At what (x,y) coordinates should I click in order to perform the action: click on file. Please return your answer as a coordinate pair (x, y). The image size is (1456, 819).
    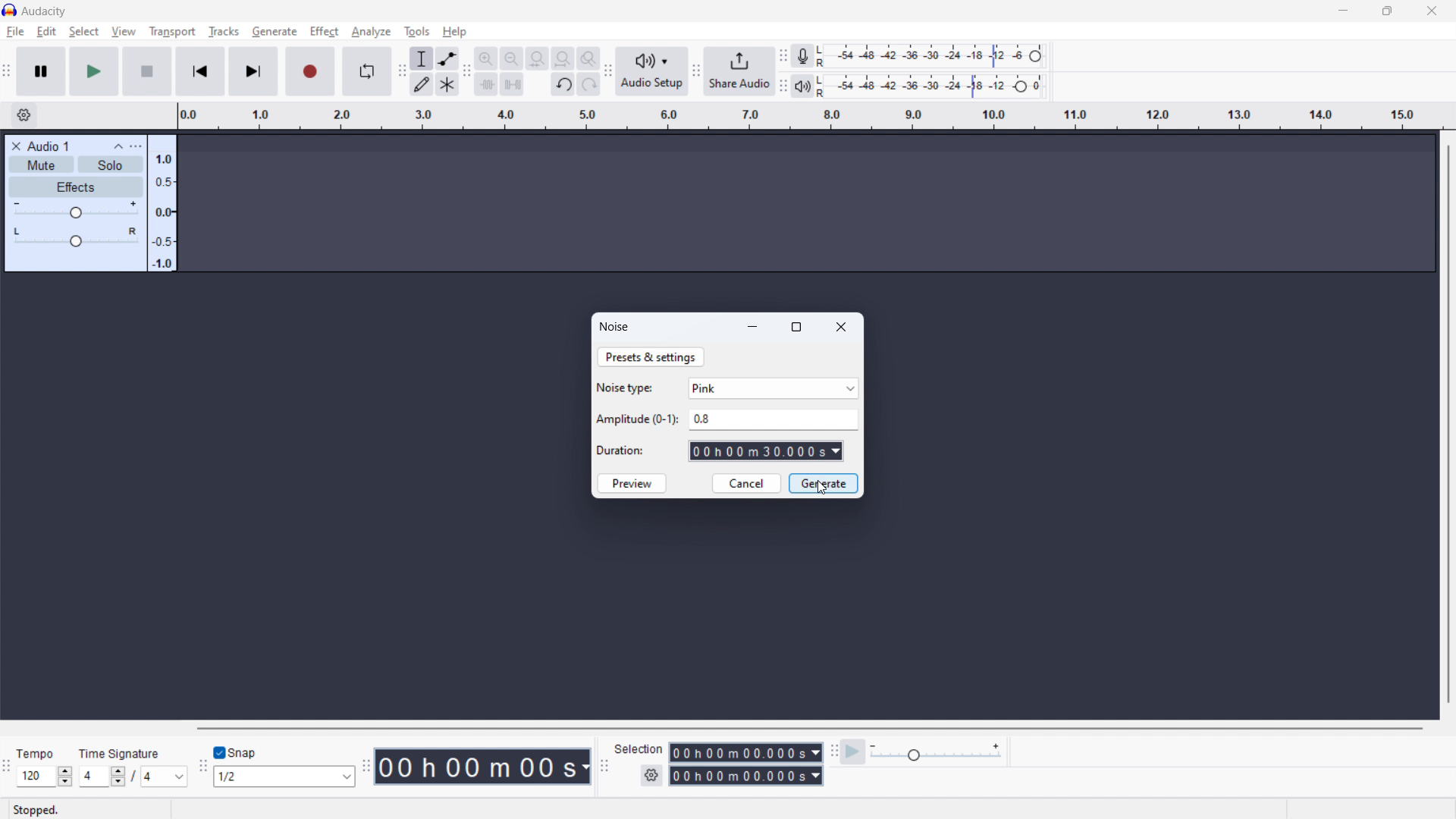
    Looking at the image, I should click on (15, 32).